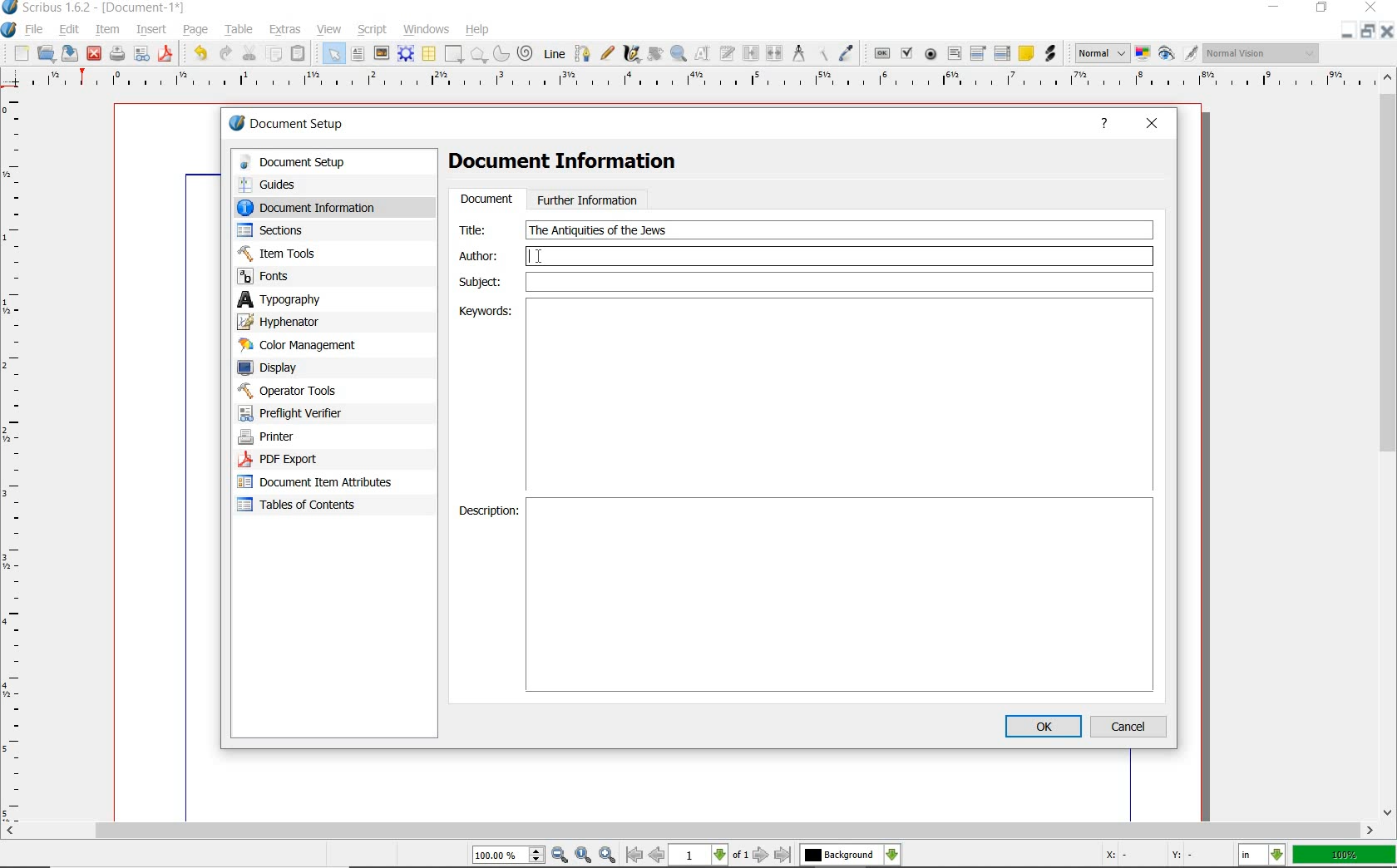 Image resolution: width=1397 pixels, height=868 pixels. What do you see at coordinates (286, 30) in the screenshot?
I see `extras` at bounding box center [286, 30].